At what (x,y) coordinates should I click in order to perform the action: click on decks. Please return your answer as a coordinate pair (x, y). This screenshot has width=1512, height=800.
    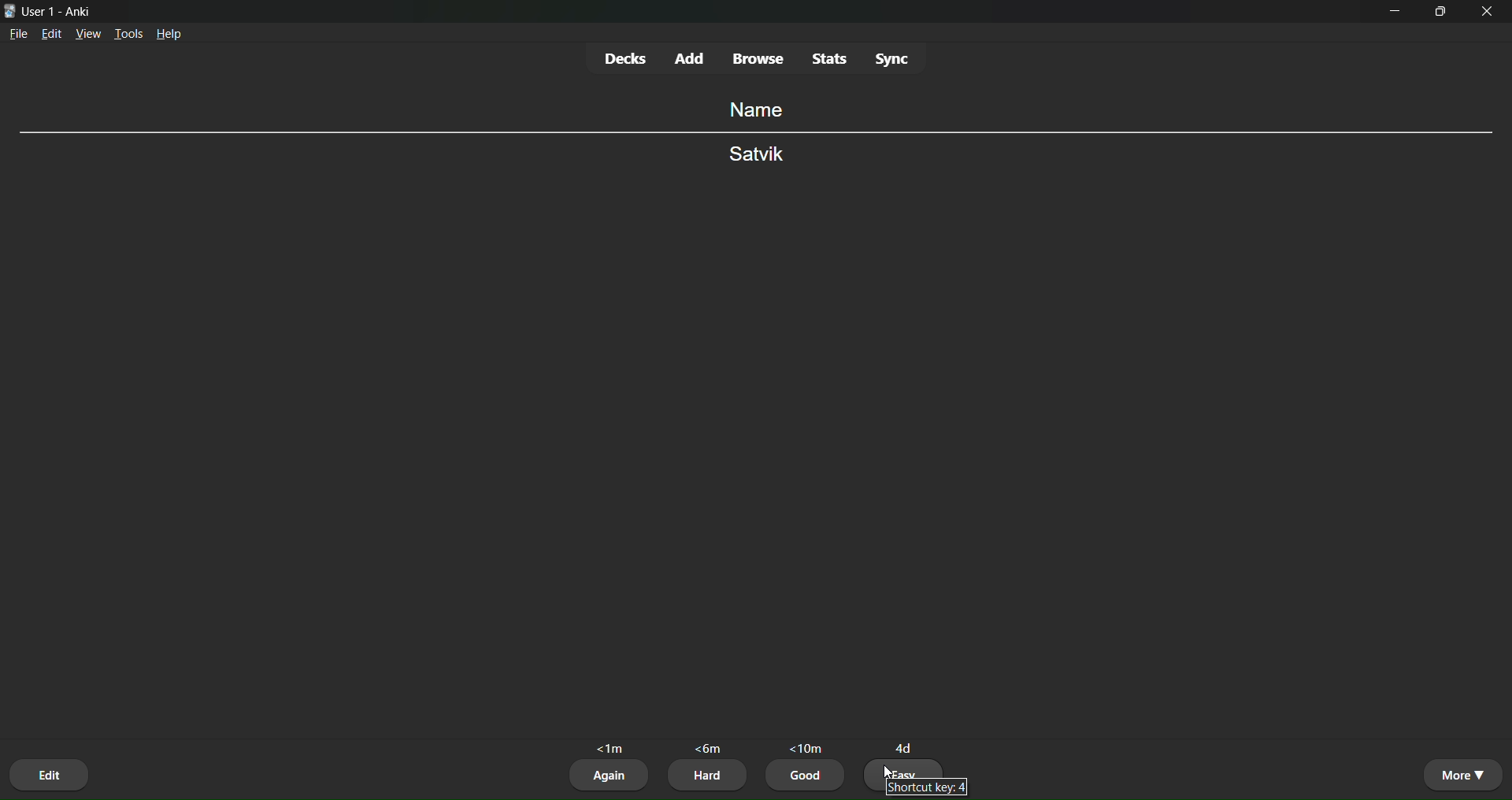
    Looking at the image, I should click on (624, 58).